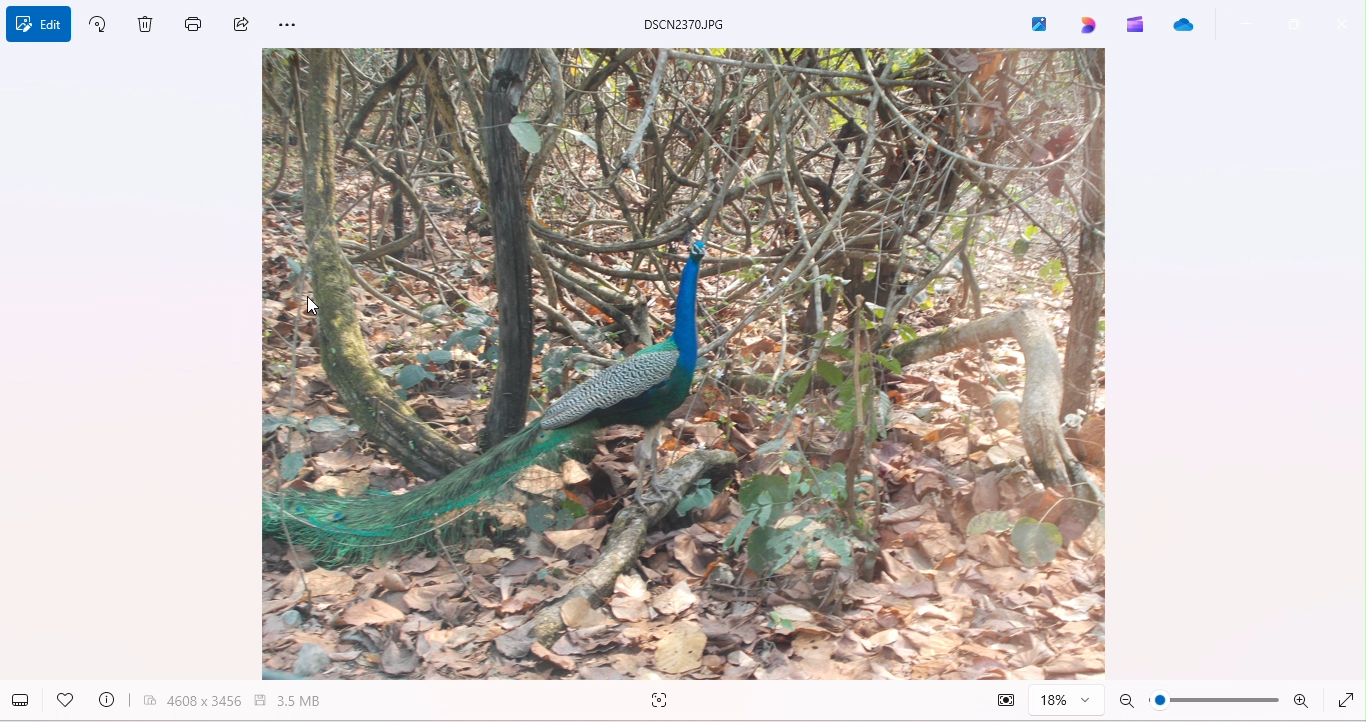 This screenshot has width=1366, height=722. What do you see at coordinates (663, 701) in the screenshot?
I see `search with bing` at bounding box center [663, 701].